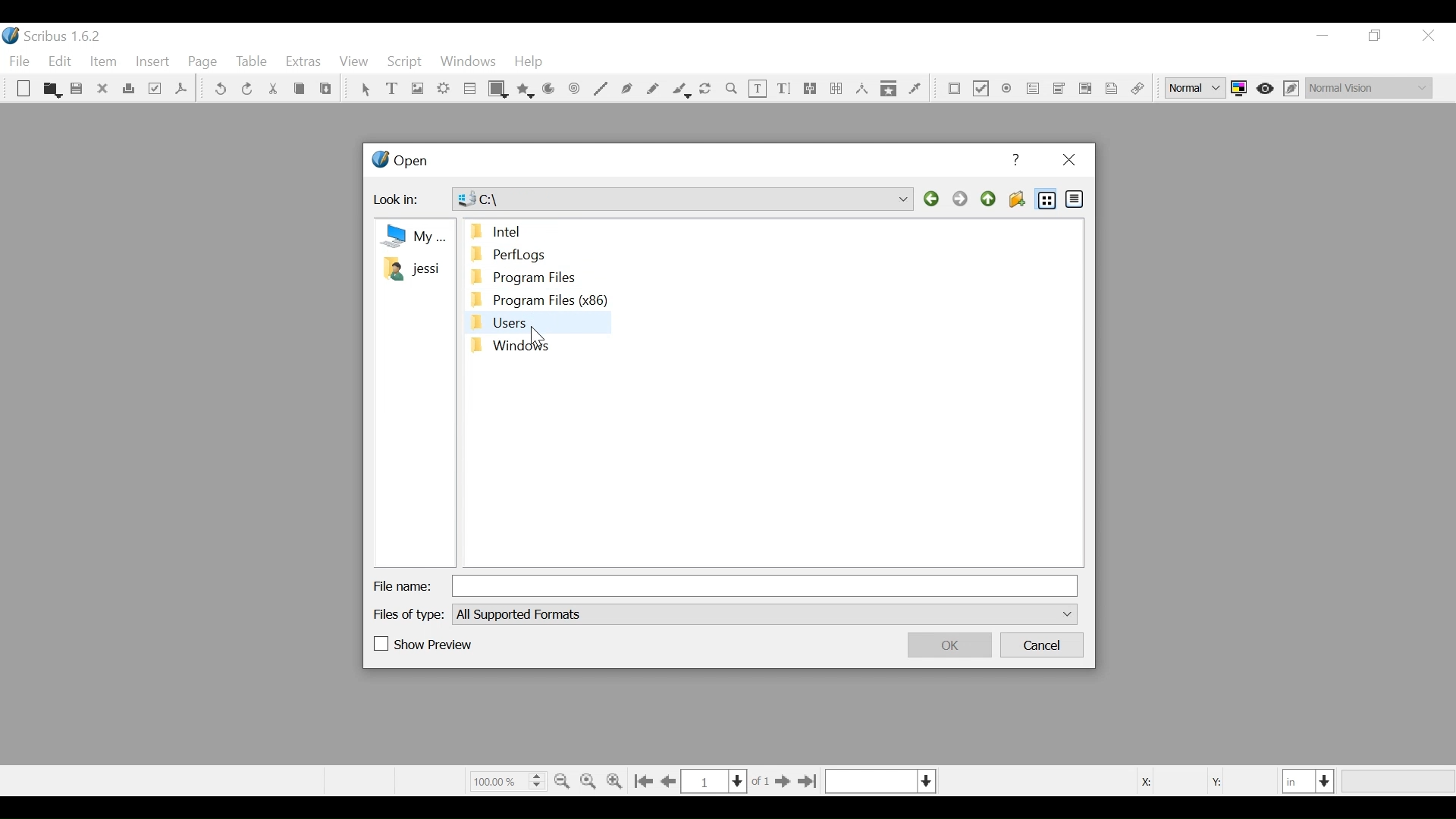 This screenshot has height=819, width=1456. What do you see at coordinates (1376, 36) in the screenshot?
I see `Restore` at bounding box center [1376, 36].